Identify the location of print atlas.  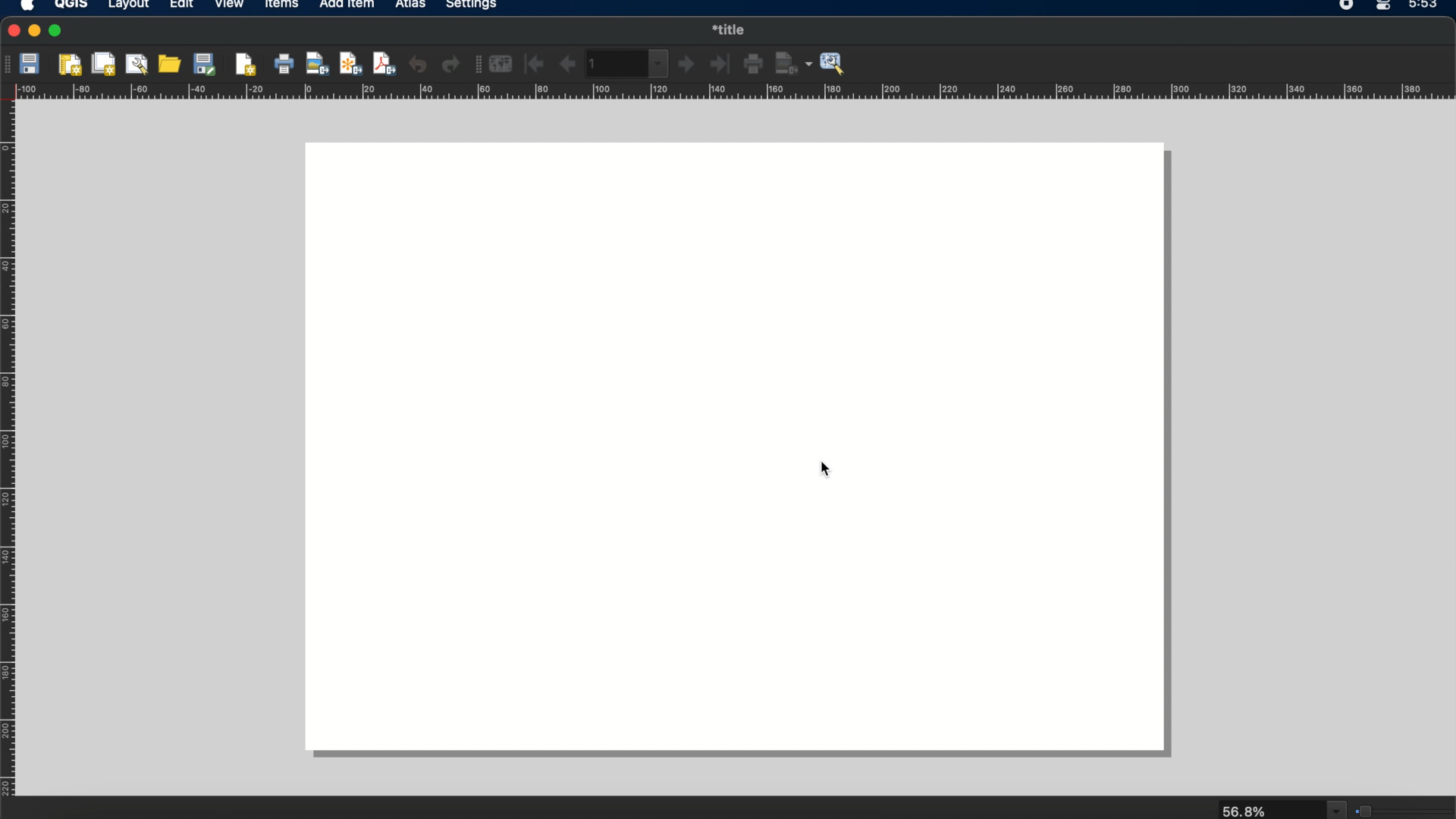
(752, 64).